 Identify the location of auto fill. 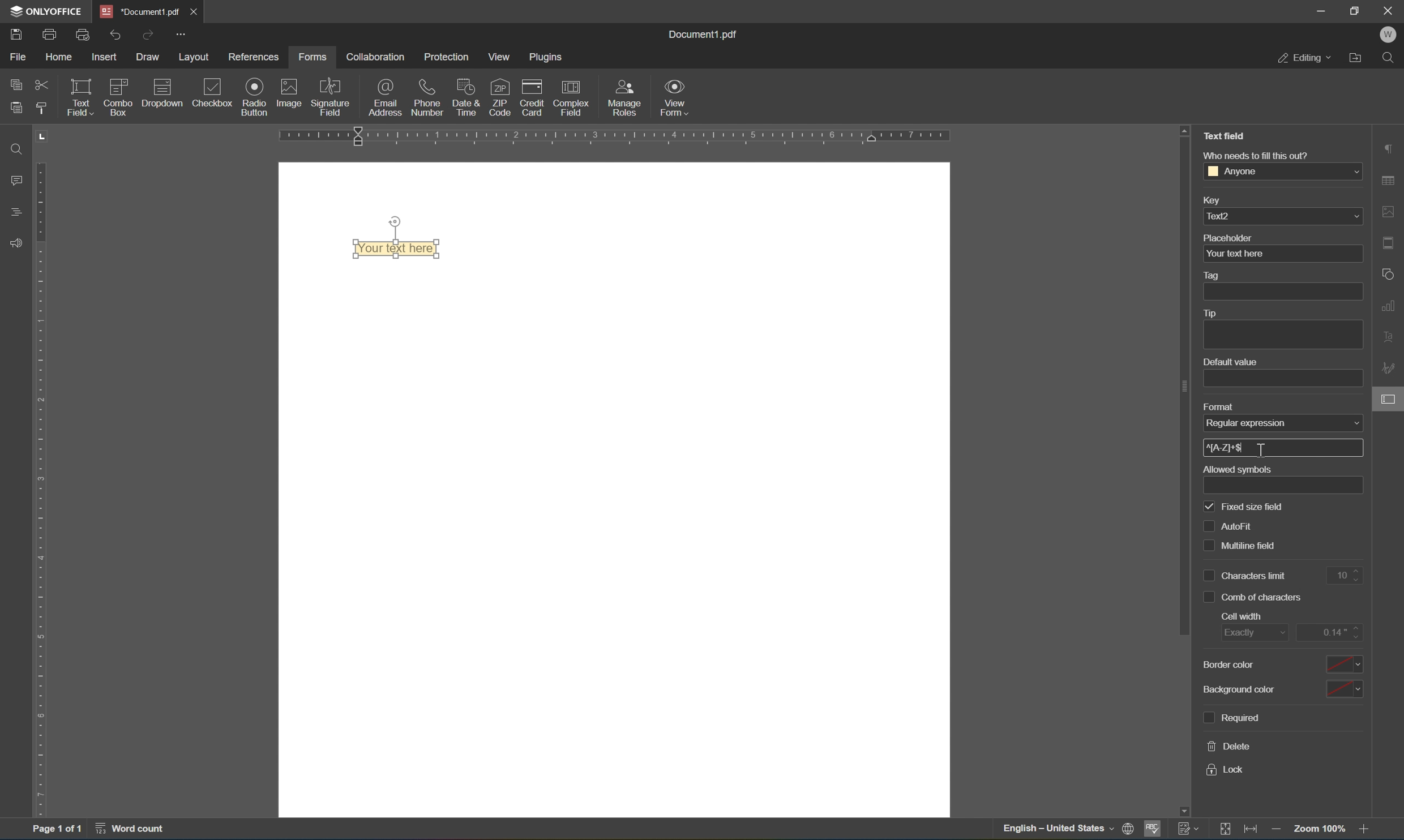
(1227, 526).